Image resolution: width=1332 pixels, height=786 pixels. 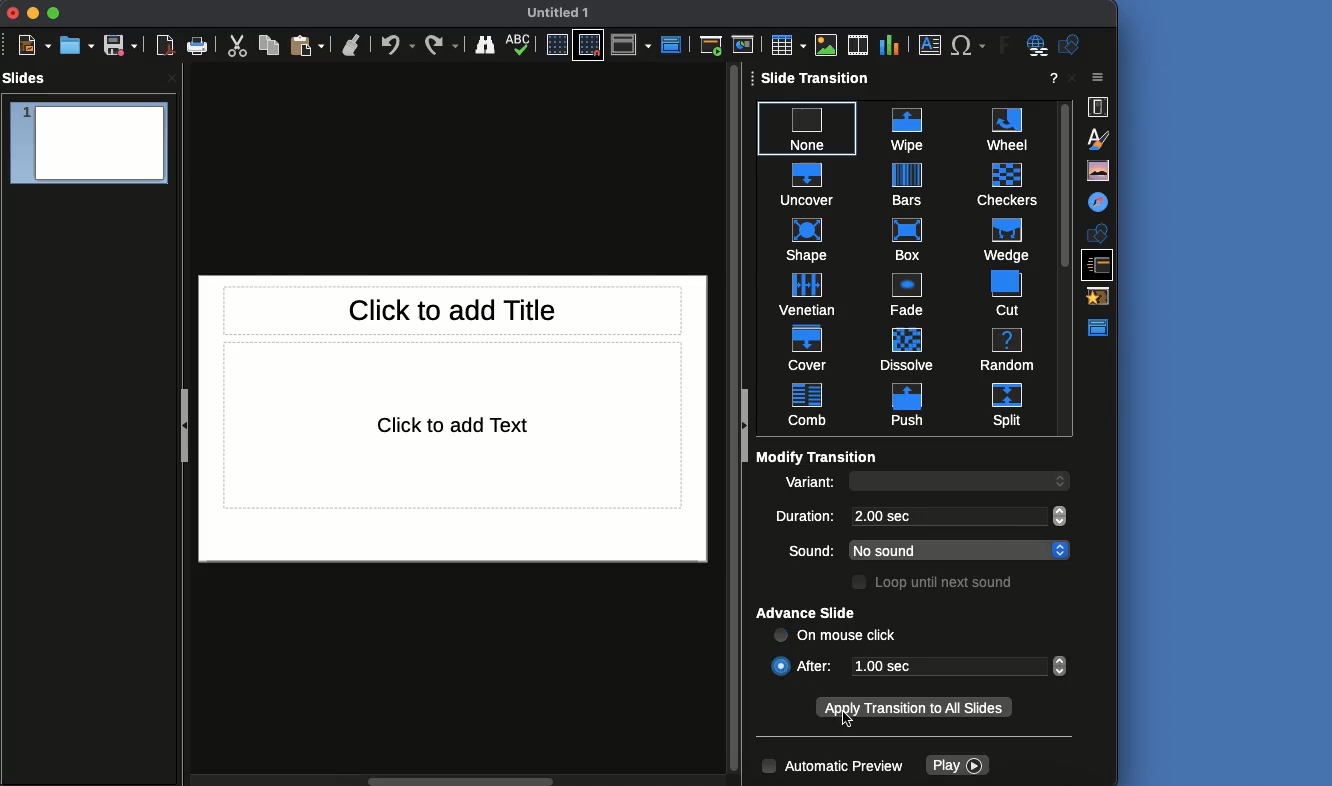 What do you see at coordinates (1034, 46) in the screenshot?
I see `Hyperlink` at bounding box center [1034, 46].